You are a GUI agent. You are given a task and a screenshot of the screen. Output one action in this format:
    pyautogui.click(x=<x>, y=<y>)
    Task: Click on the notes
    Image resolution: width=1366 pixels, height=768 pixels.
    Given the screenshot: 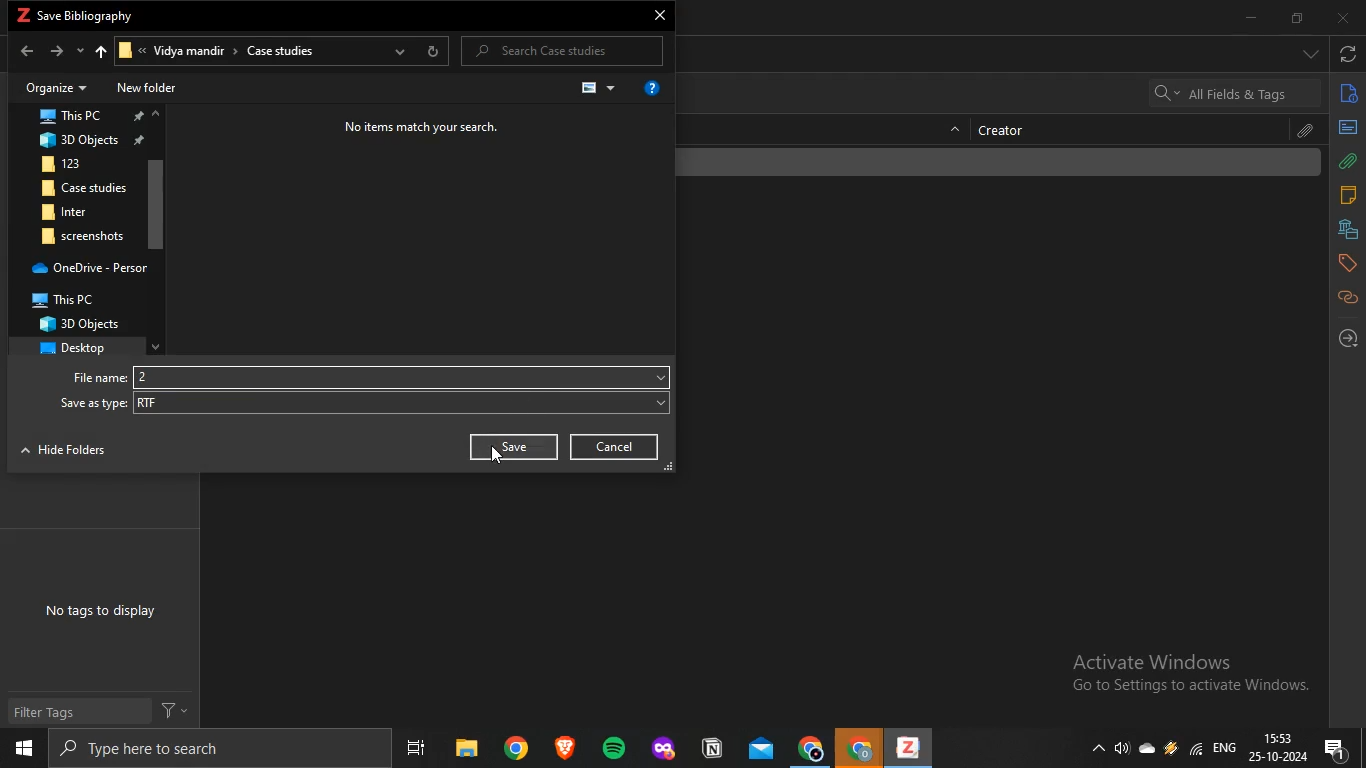 What is the action you would take?
    pyautogui.click(x=1348, y=195)
    